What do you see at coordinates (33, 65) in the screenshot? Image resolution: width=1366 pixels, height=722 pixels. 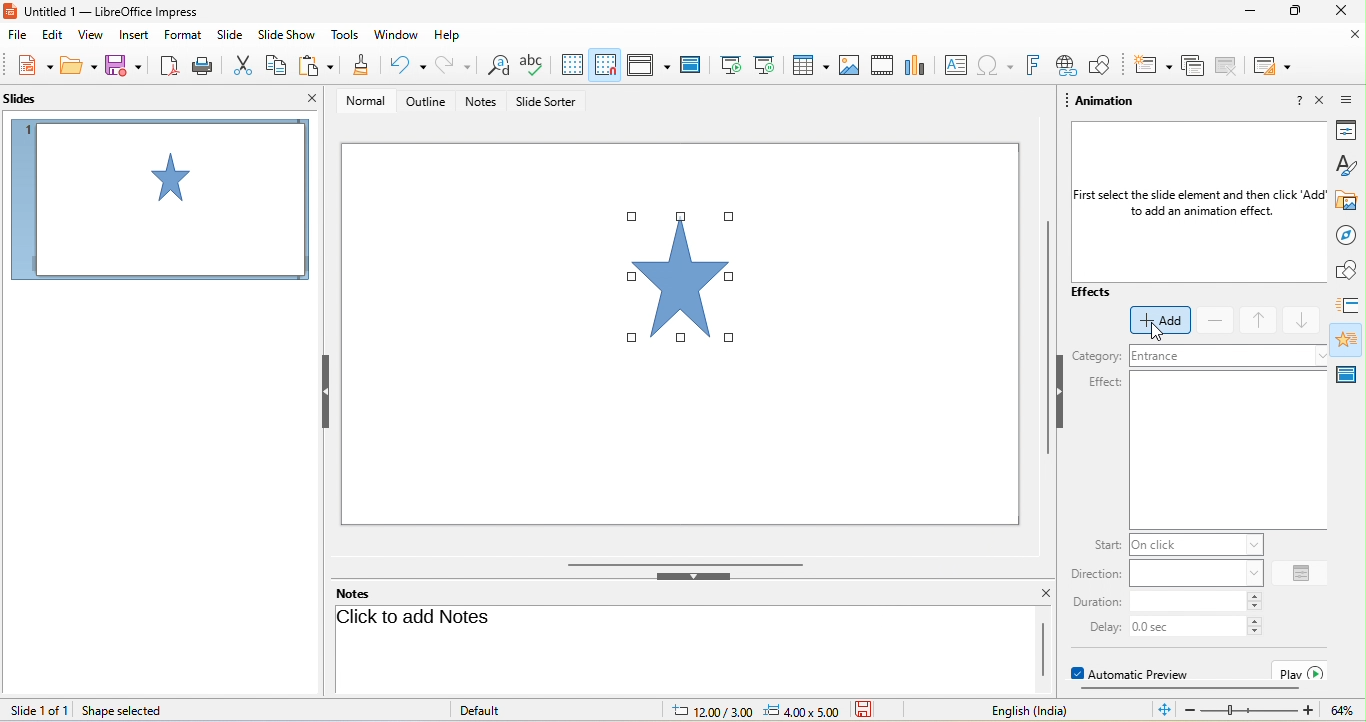 I see `new` at bounding box center [33, 65].